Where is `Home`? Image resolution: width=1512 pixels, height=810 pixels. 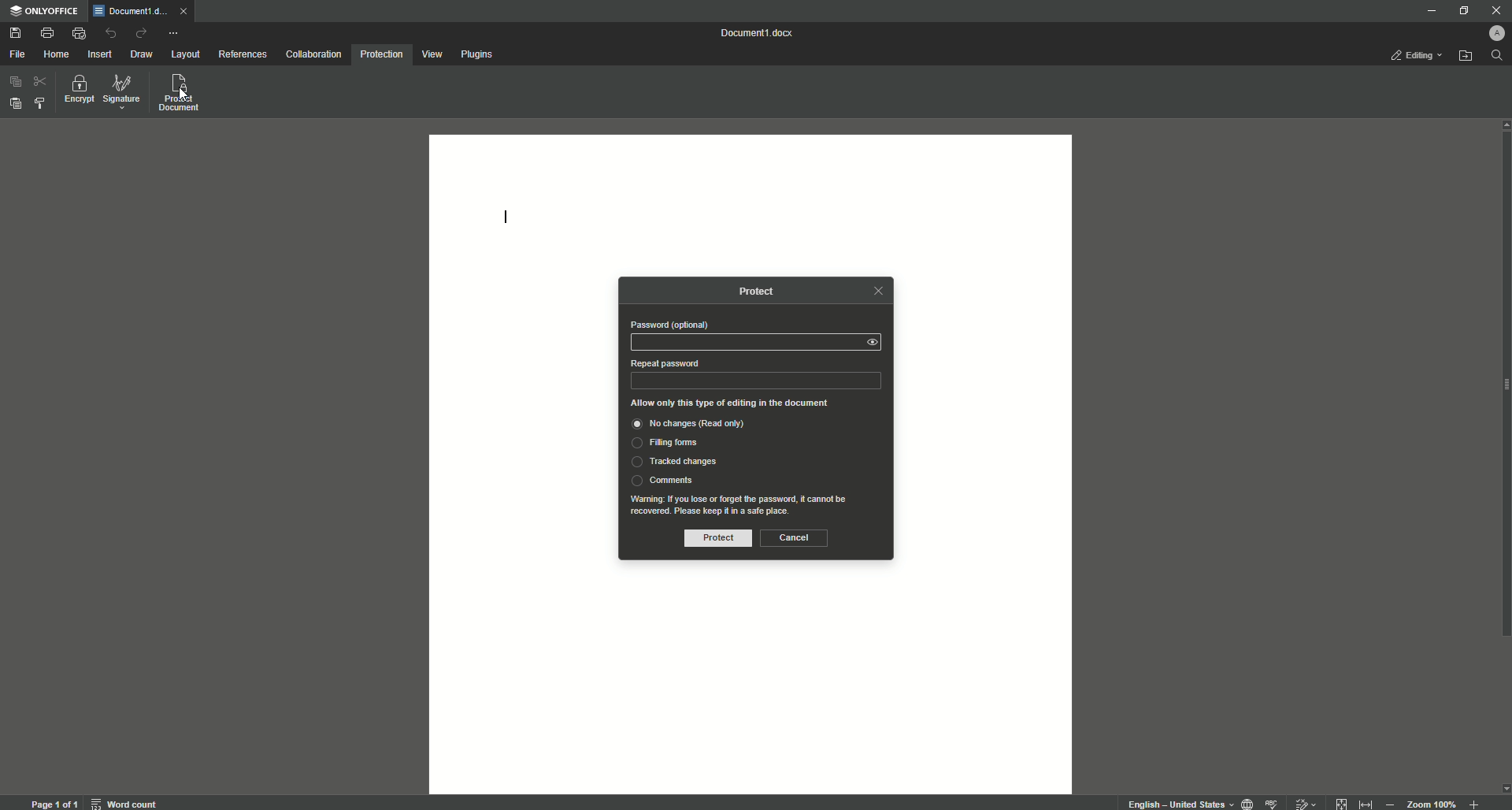
Home is located at coordinates (57, 53).